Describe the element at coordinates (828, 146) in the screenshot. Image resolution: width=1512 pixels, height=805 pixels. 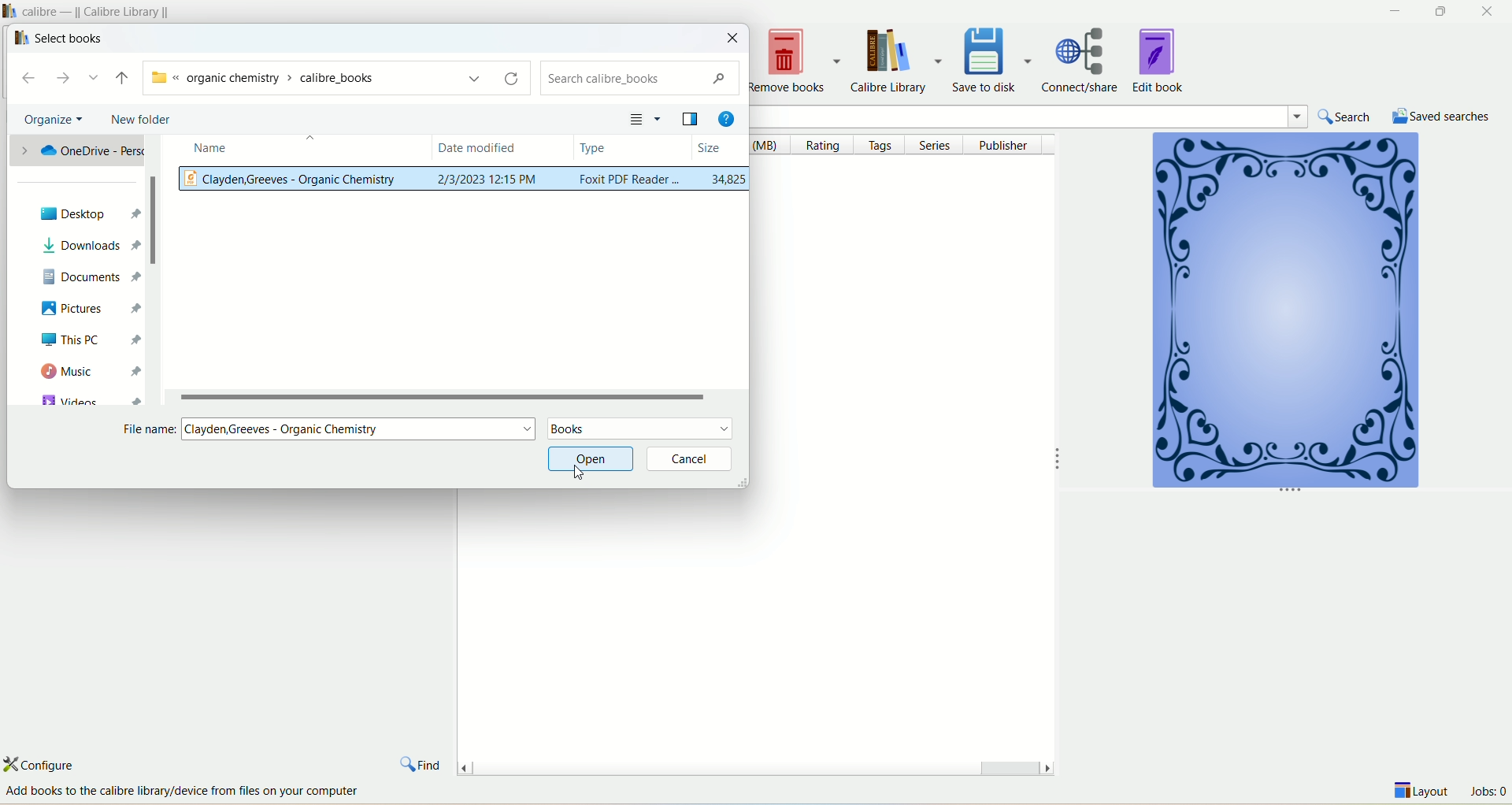
I see `rating` at that location.